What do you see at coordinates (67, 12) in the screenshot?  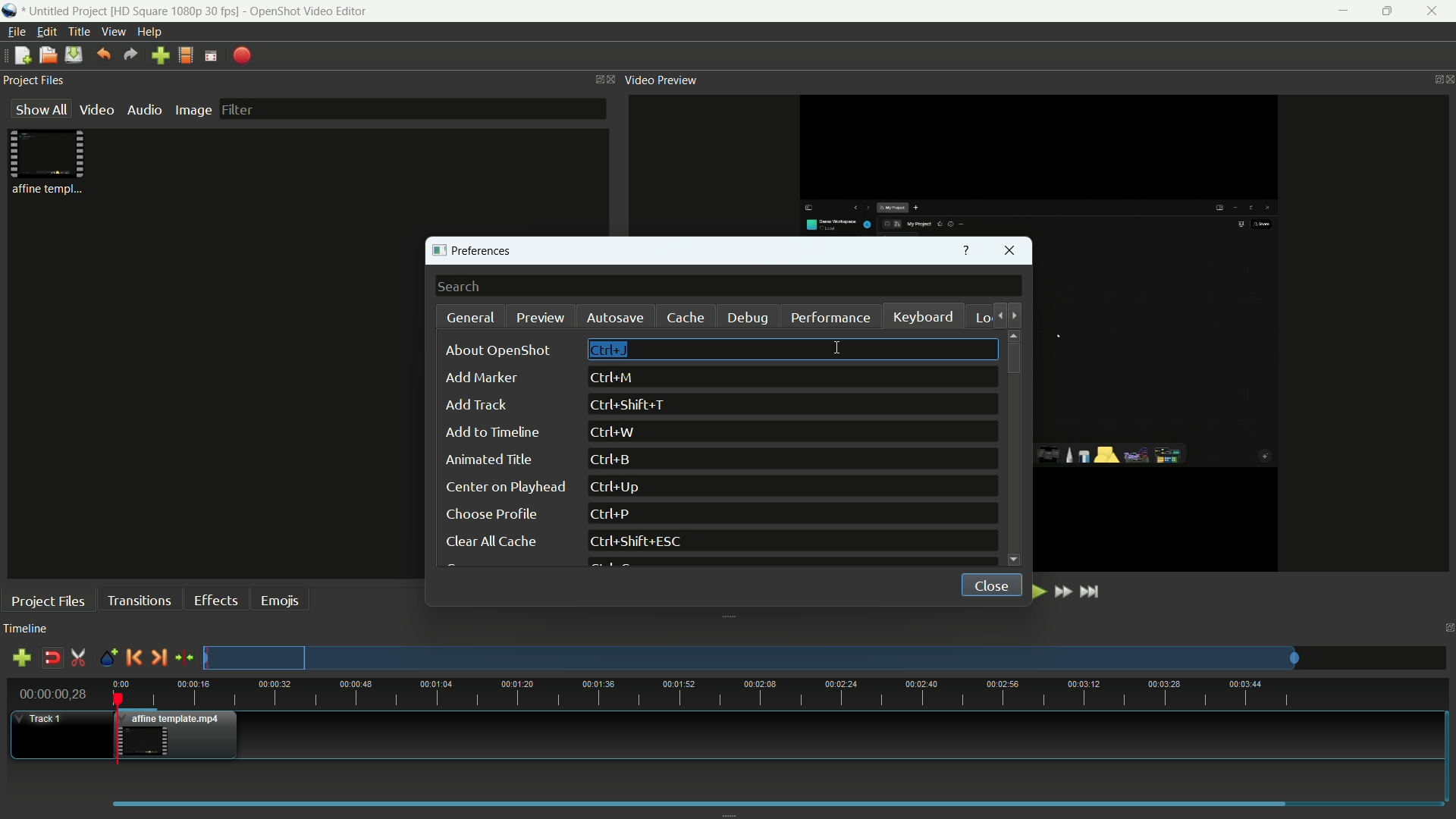 I see `project name` at bounding box center [67, 12].